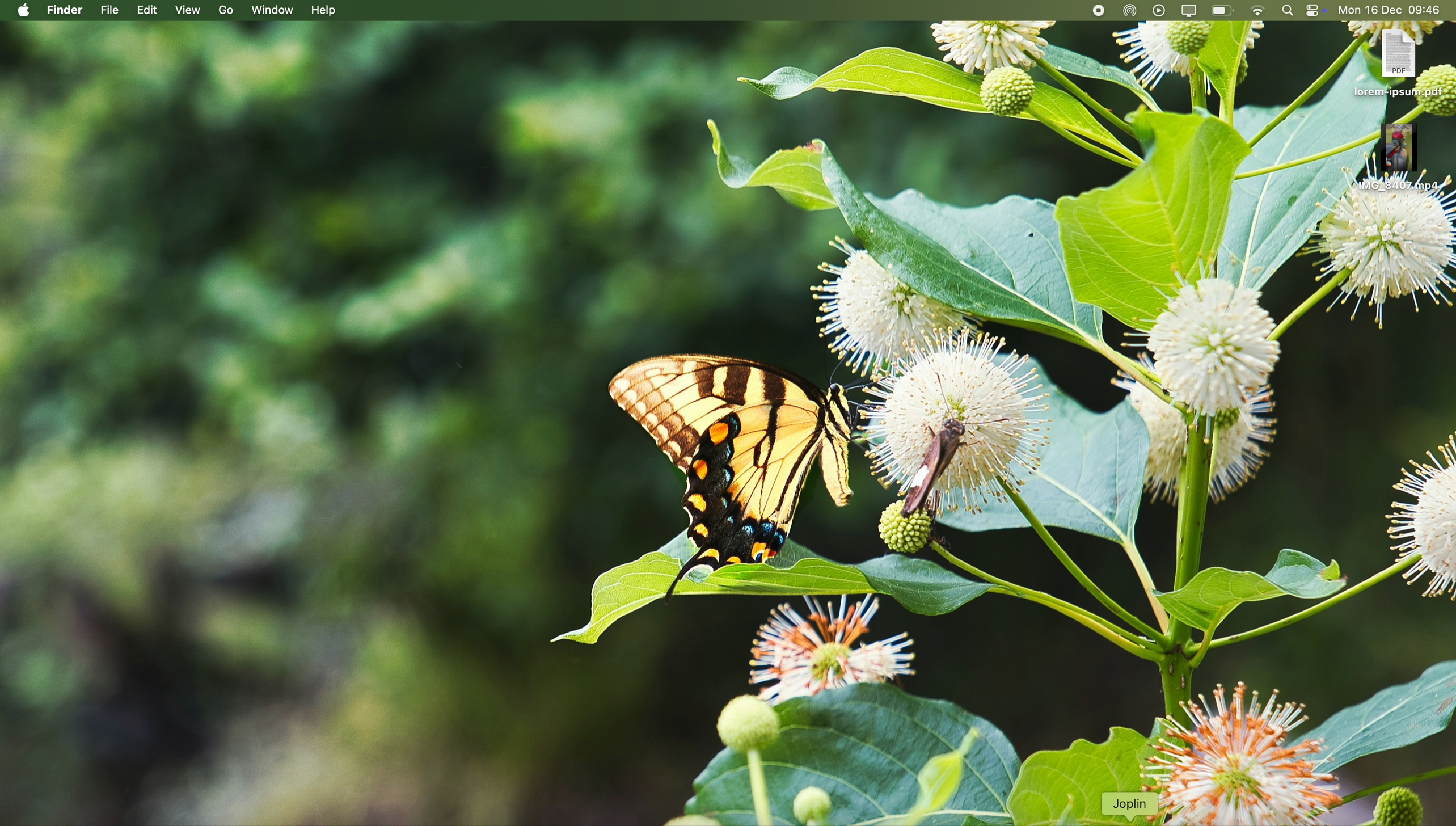 The image size is (1456, 826). I want to click on click on file, so click(109, 12).